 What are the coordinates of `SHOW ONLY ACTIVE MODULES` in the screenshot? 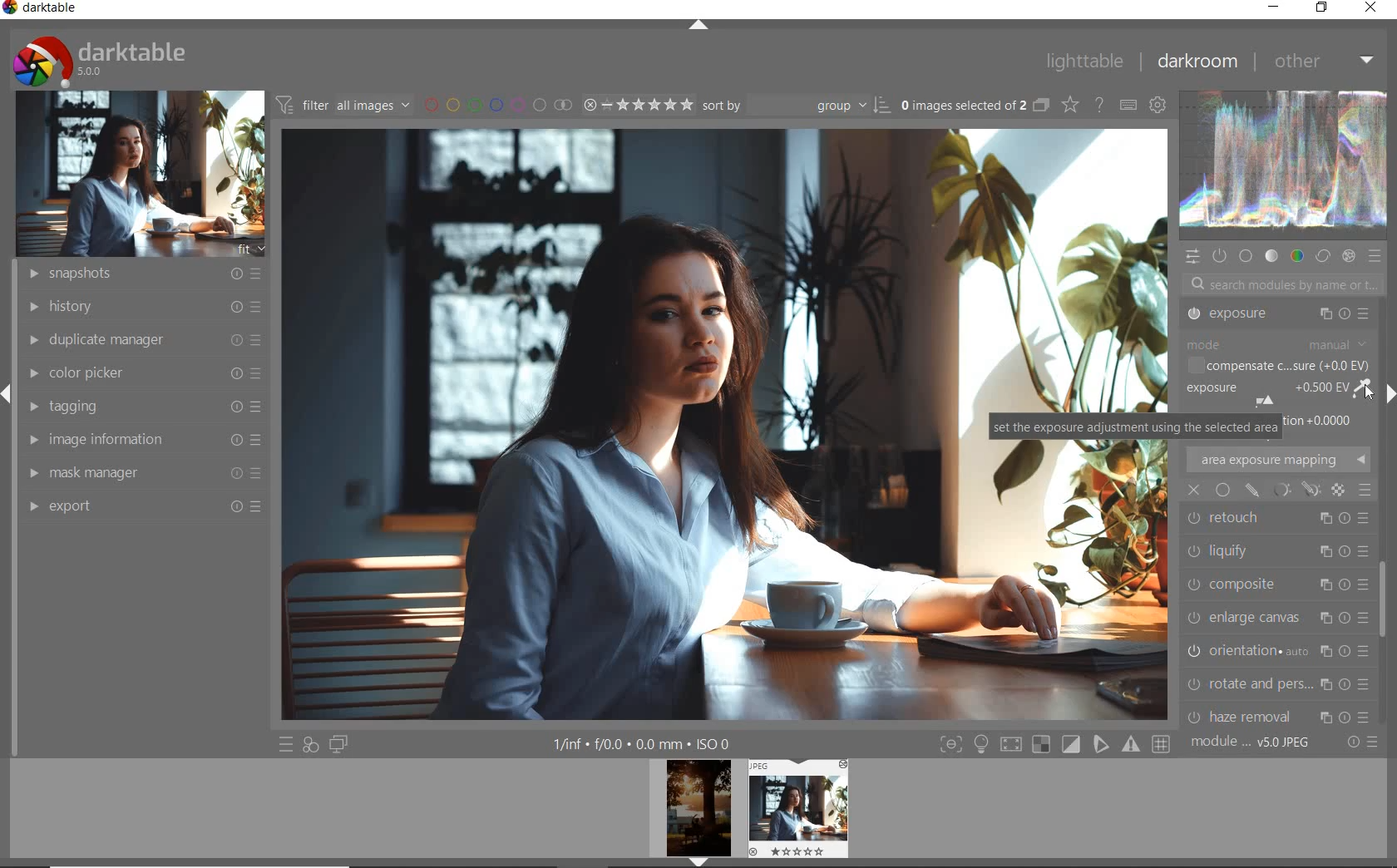 It's located at (1219, 257).